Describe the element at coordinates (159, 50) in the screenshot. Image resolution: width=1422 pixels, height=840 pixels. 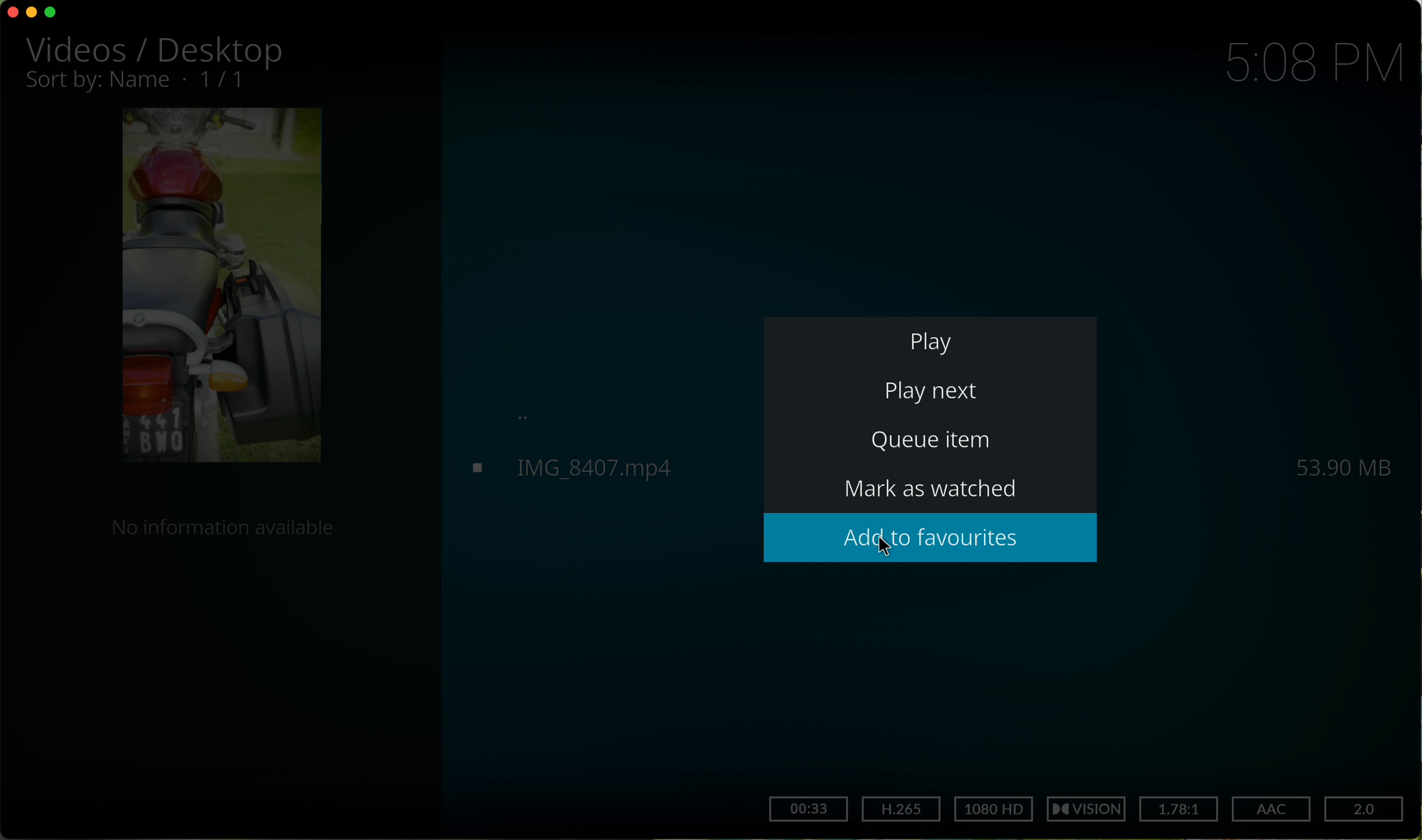
I see `Videos/DEsktop` at that location.